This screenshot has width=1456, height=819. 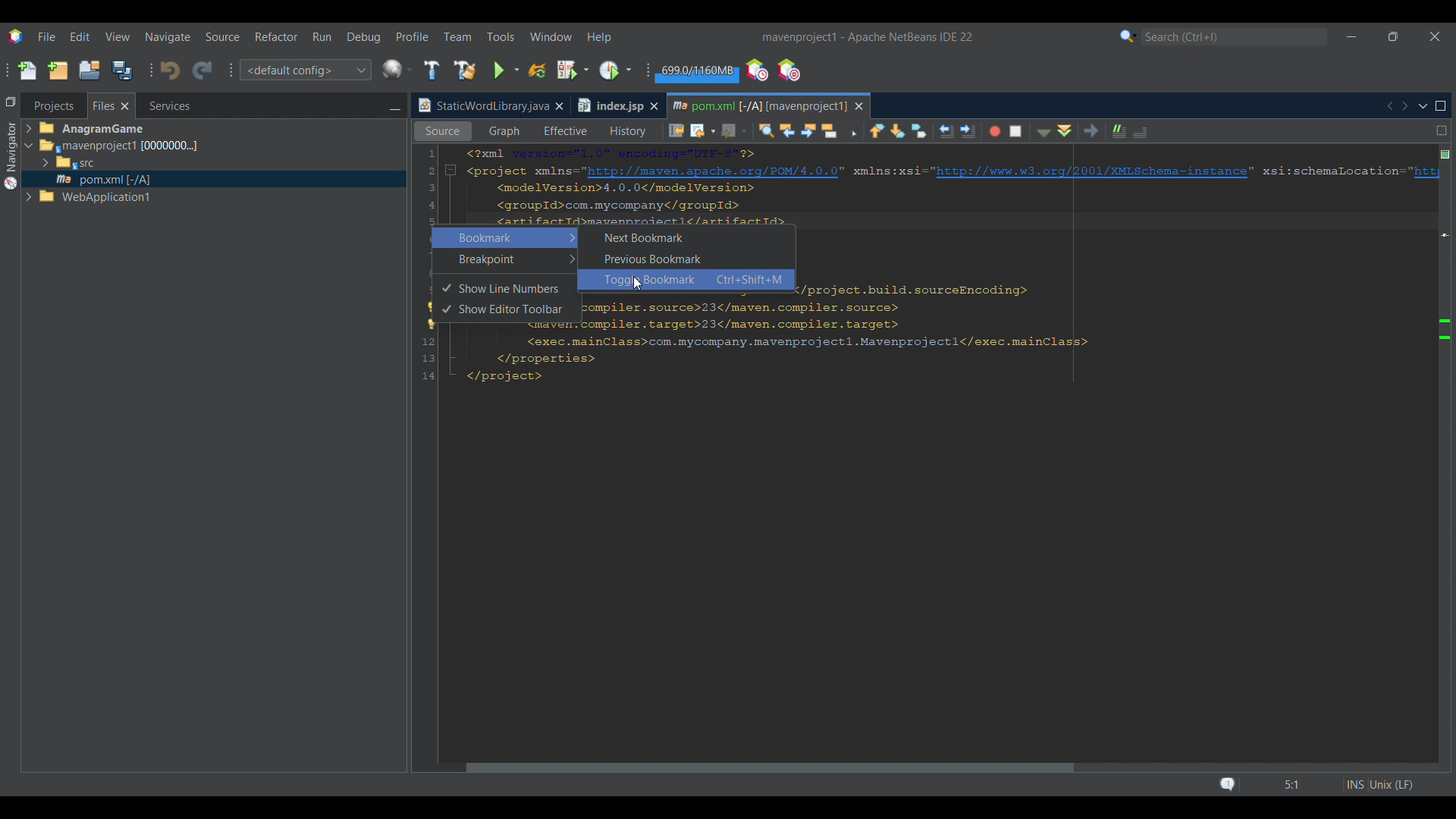 I want to click on Find previous occurrence, so click(x=788, y=132).